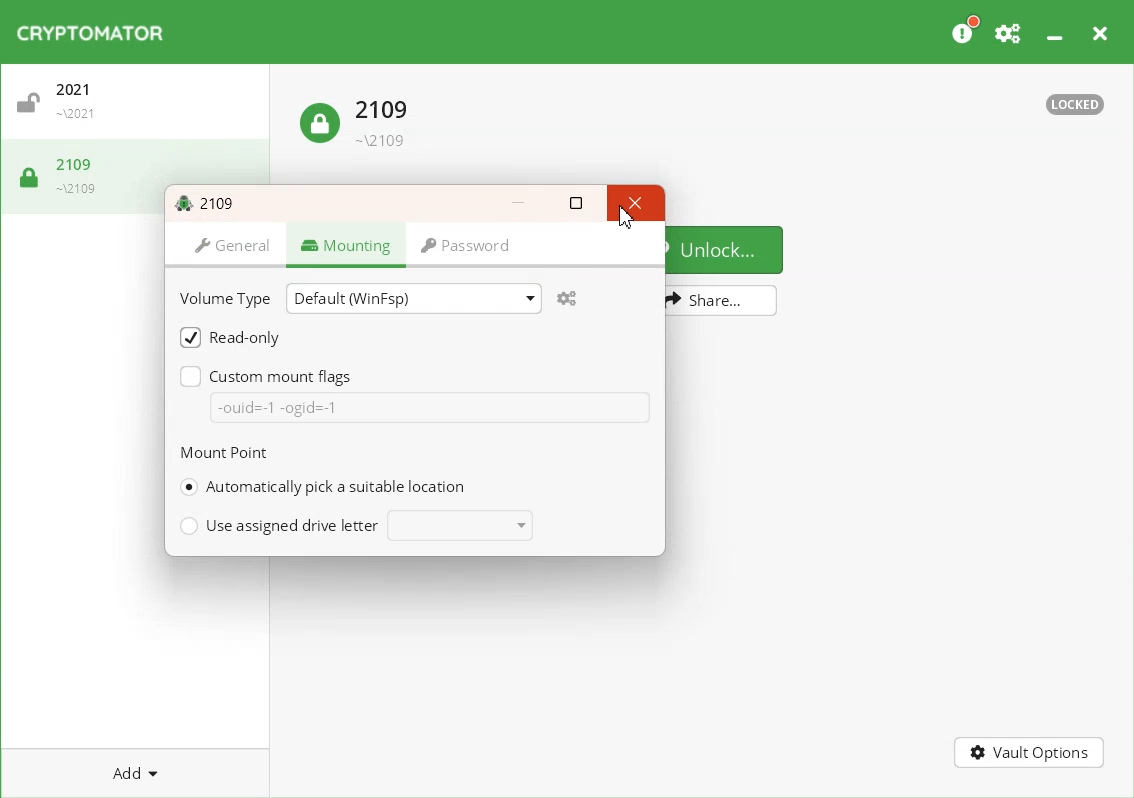  I want to click on Mounting selected, so click(346, 247).